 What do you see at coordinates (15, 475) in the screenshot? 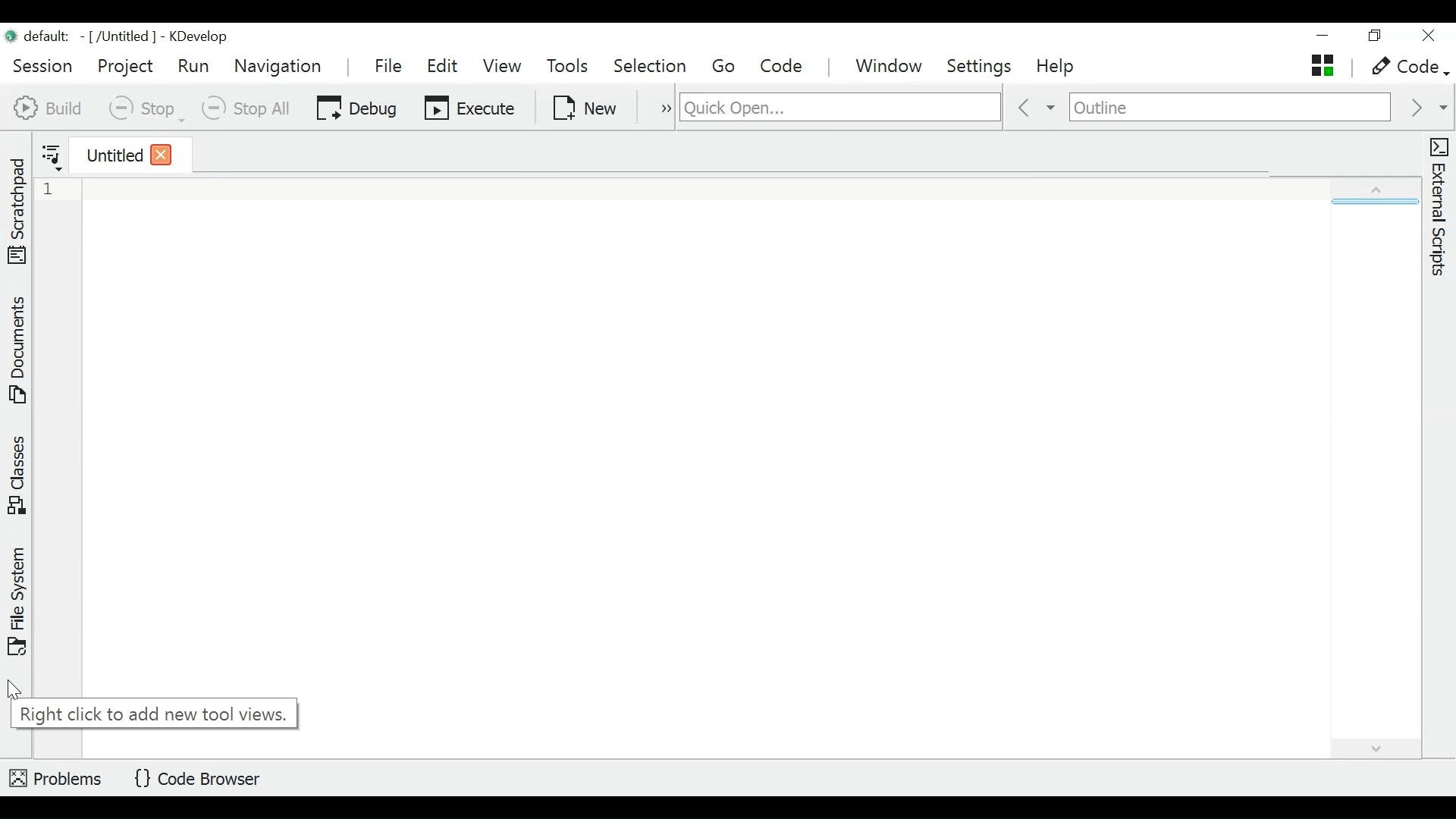
I see `Classes` at bounding box center [15, 475].